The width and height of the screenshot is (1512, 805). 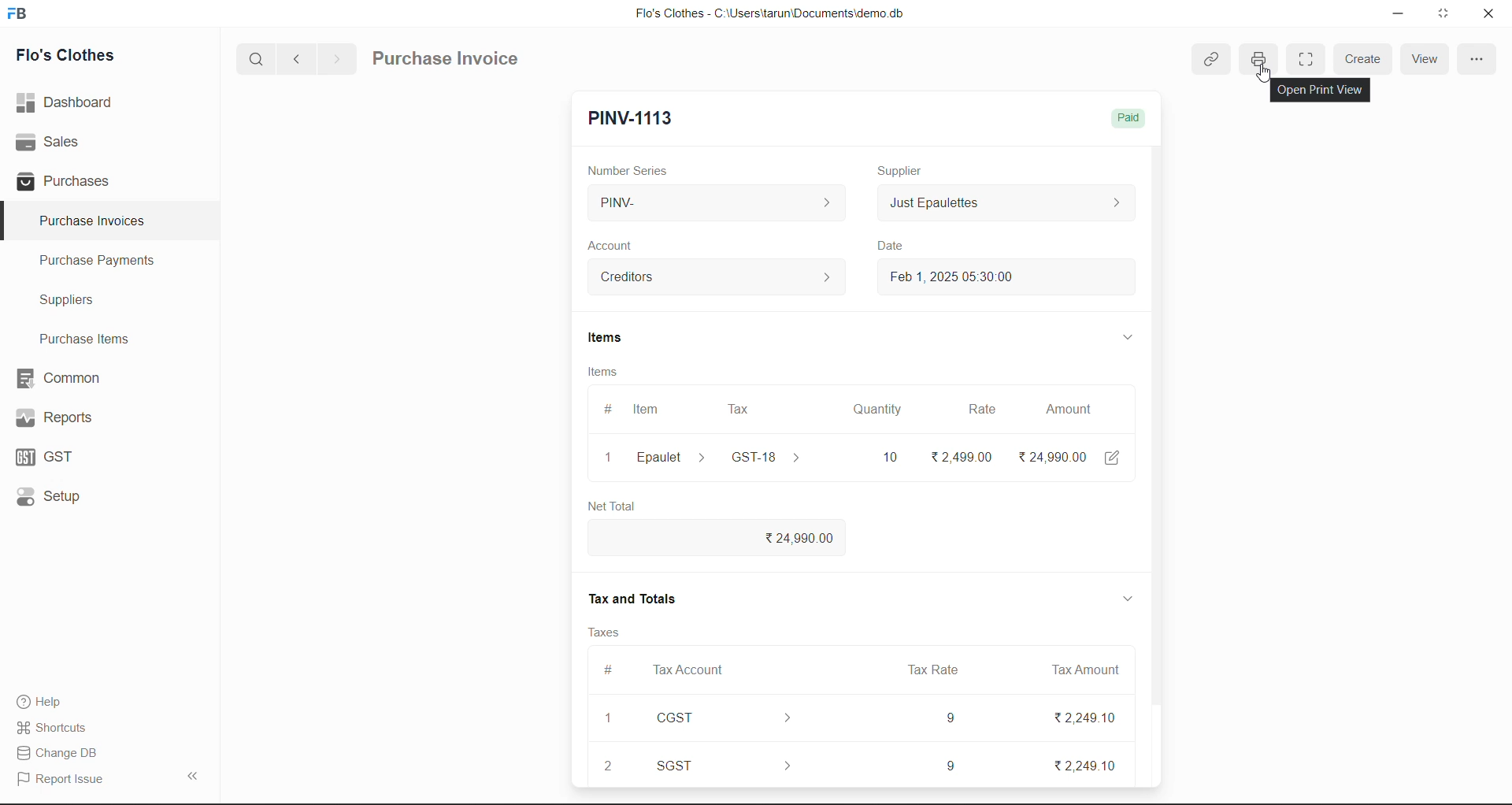 What do you see at coordinates (1445, 13) in the screenshot?
I see `window mode` at bounding box center [1445, 13].